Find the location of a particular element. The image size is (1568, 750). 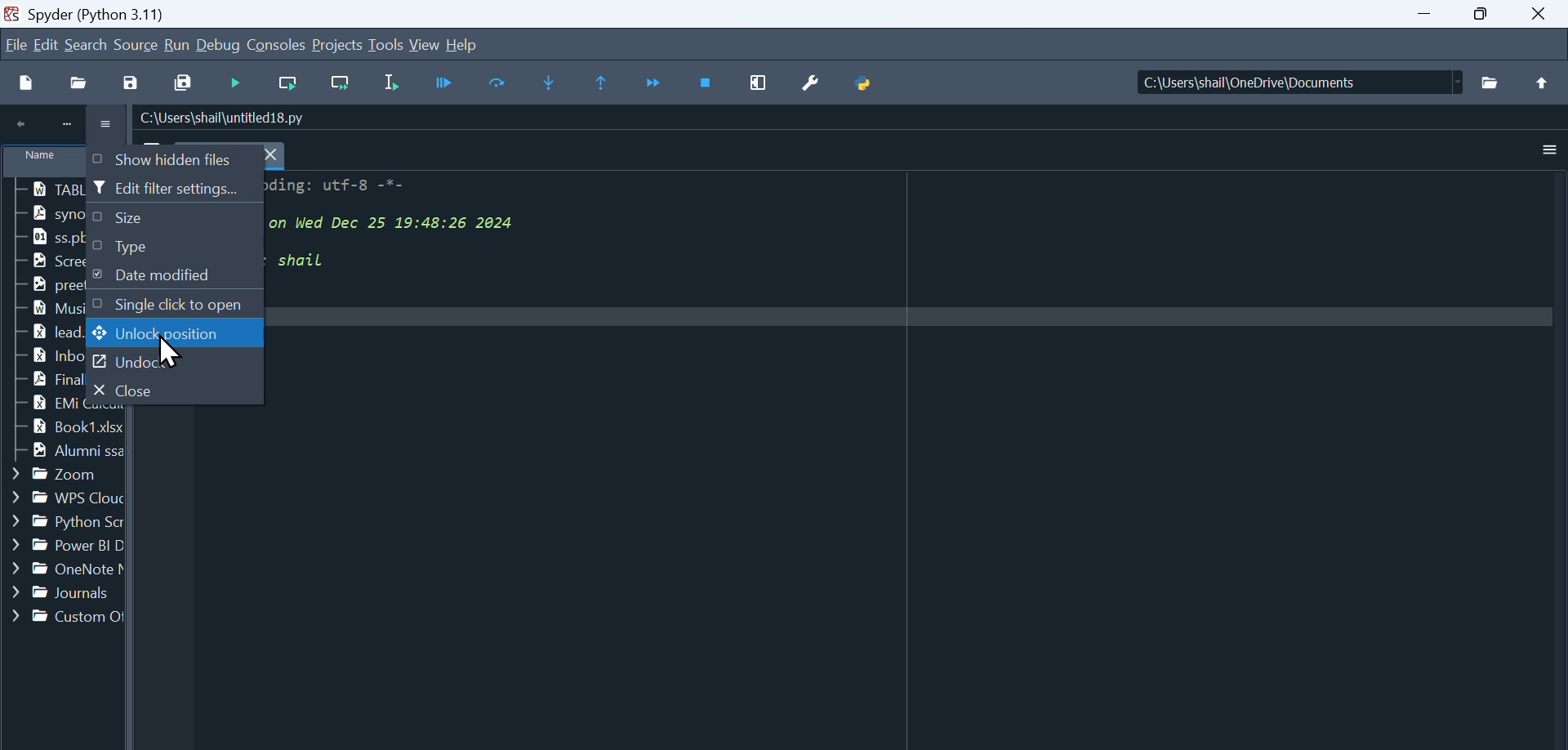

Spyder (Python 3.11) is located at coordinates (144, 13).